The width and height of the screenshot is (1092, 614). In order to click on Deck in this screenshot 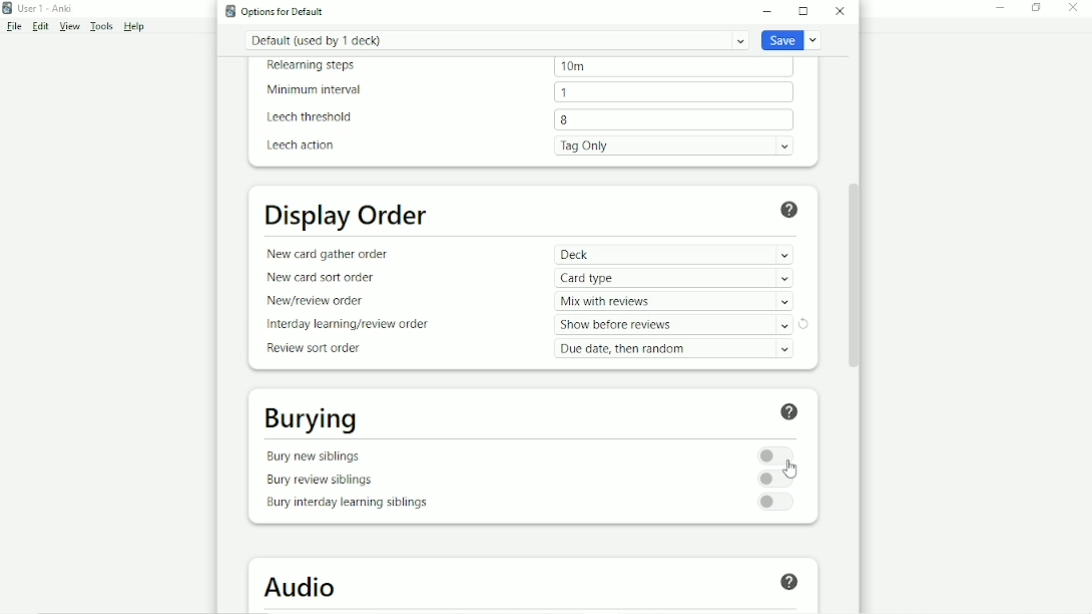, I will do `click(673, 254)`.